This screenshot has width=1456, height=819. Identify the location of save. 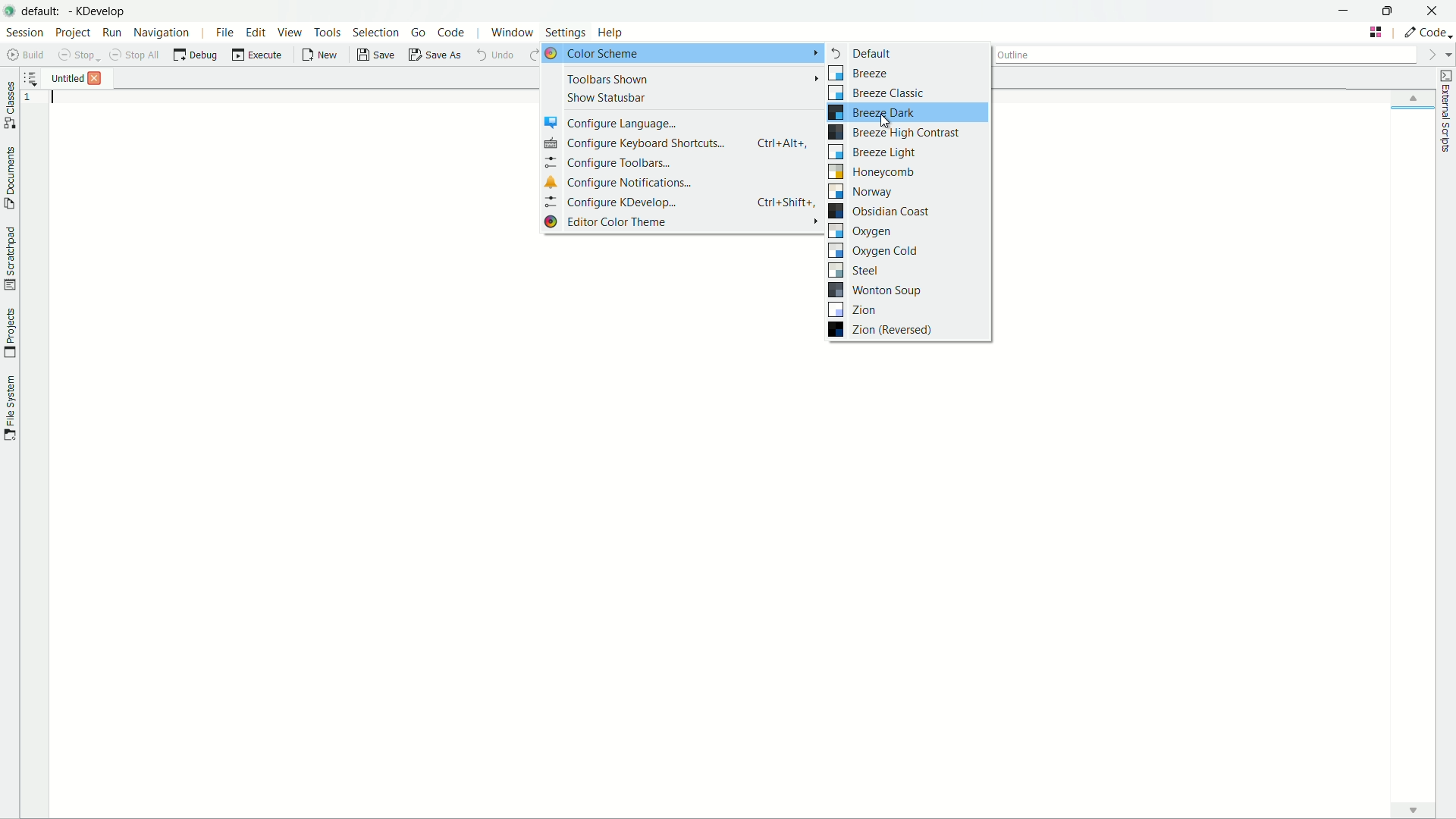
(375, 57).